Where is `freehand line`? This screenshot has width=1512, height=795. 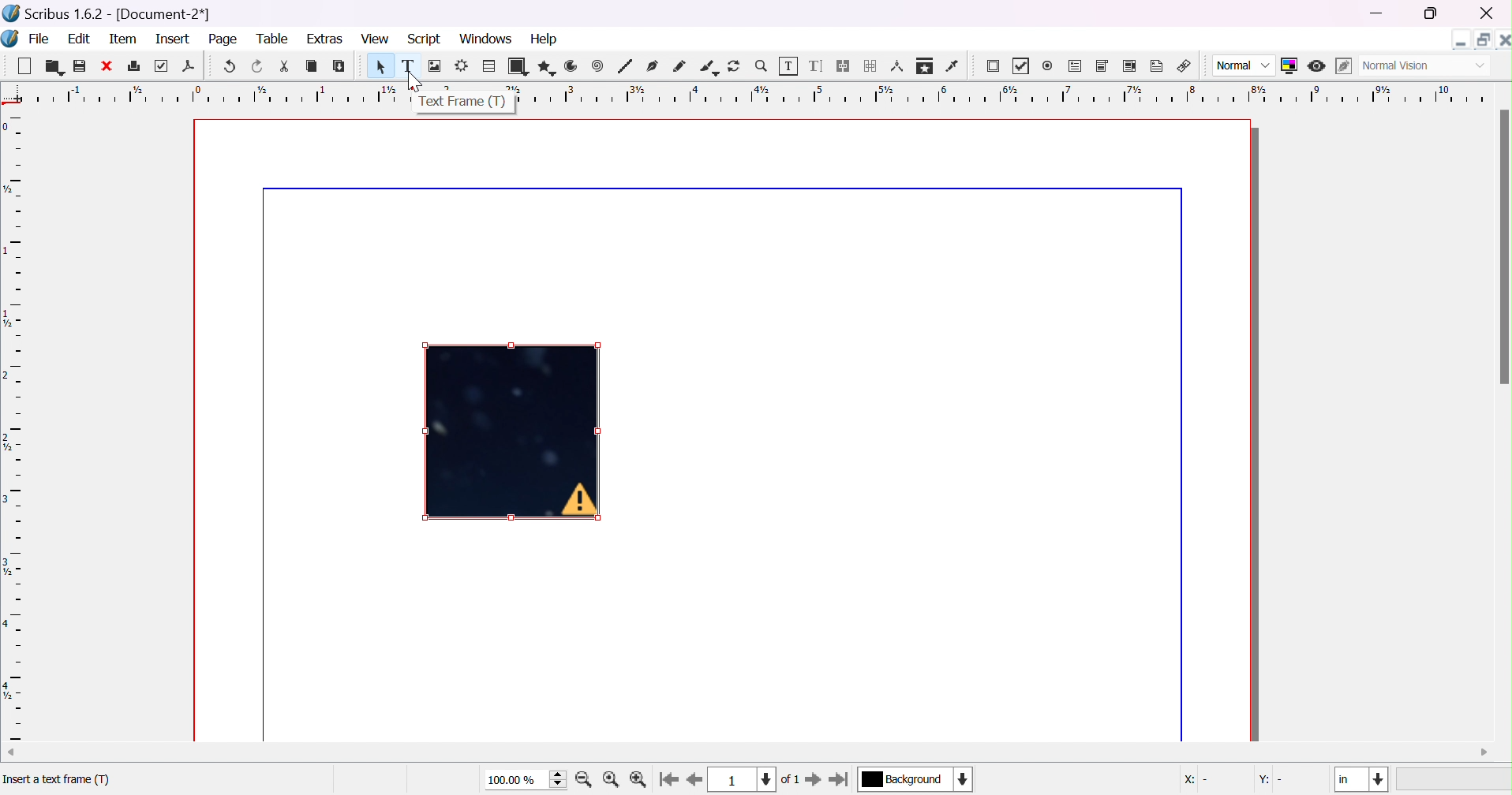
freehand line is located at coordinates (679, 66).